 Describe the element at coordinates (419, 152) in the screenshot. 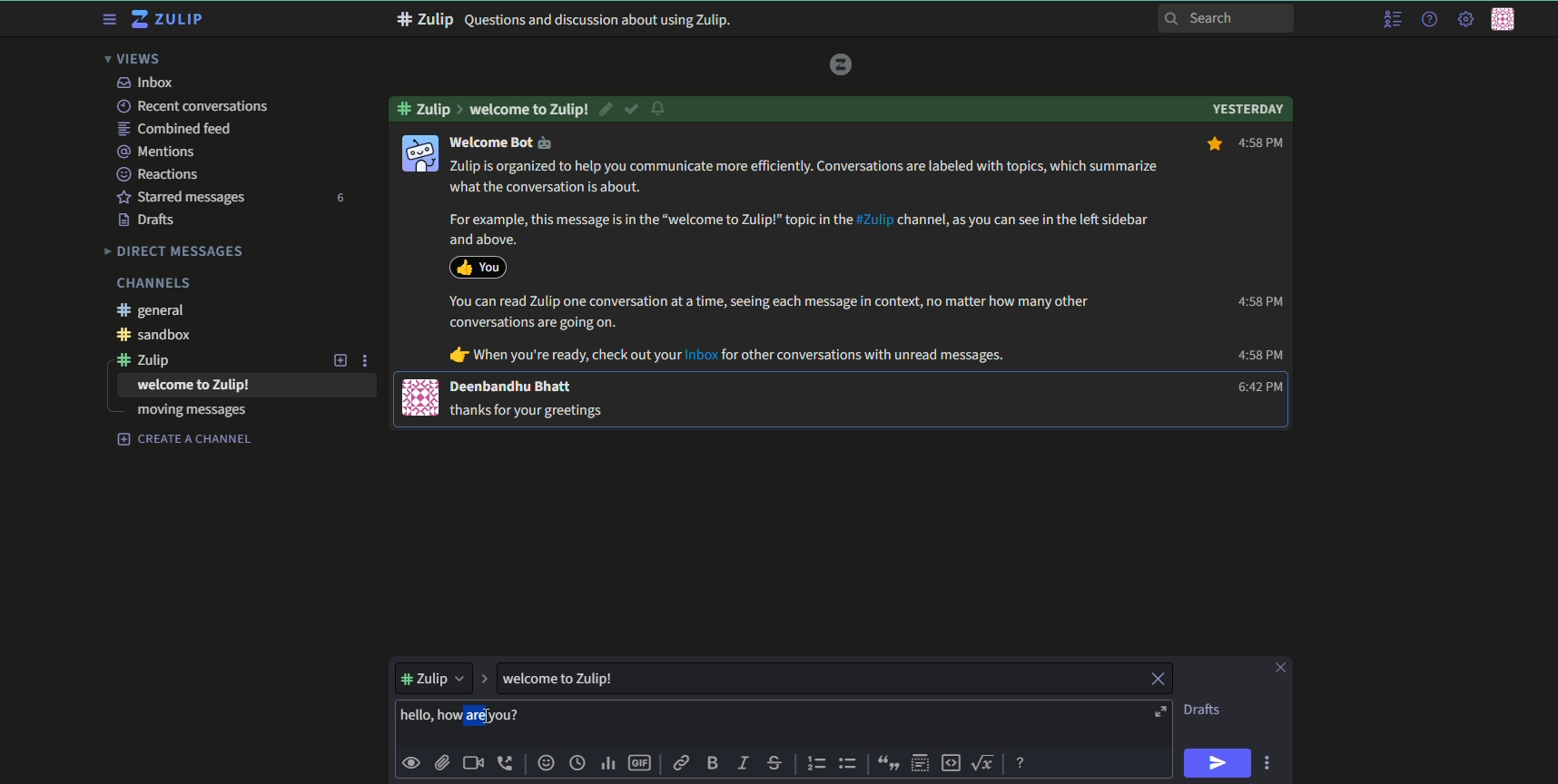

I see `icon` at that location.